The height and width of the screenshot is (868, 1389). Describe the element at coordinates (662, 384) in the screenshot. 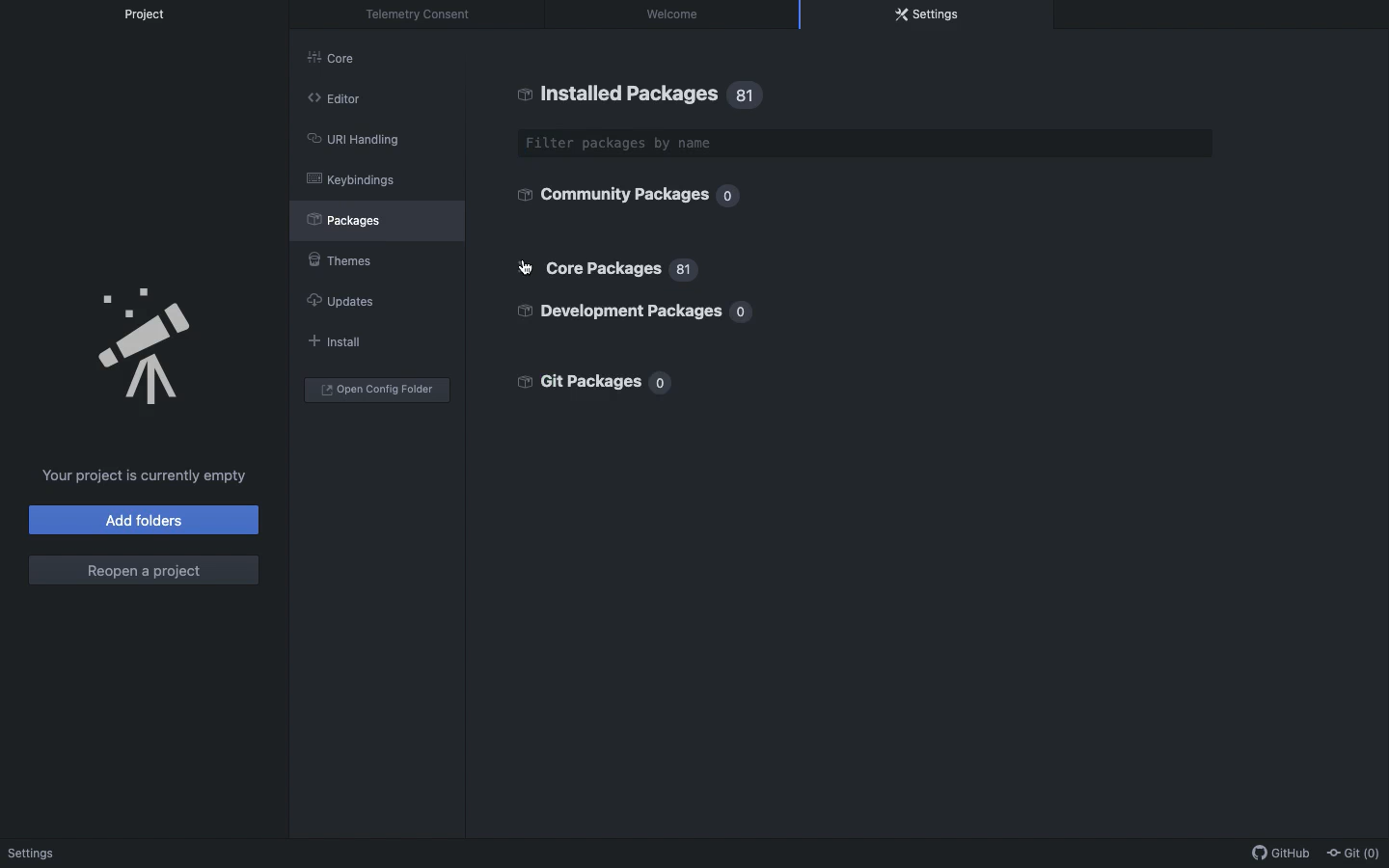

I see `0` at that location.